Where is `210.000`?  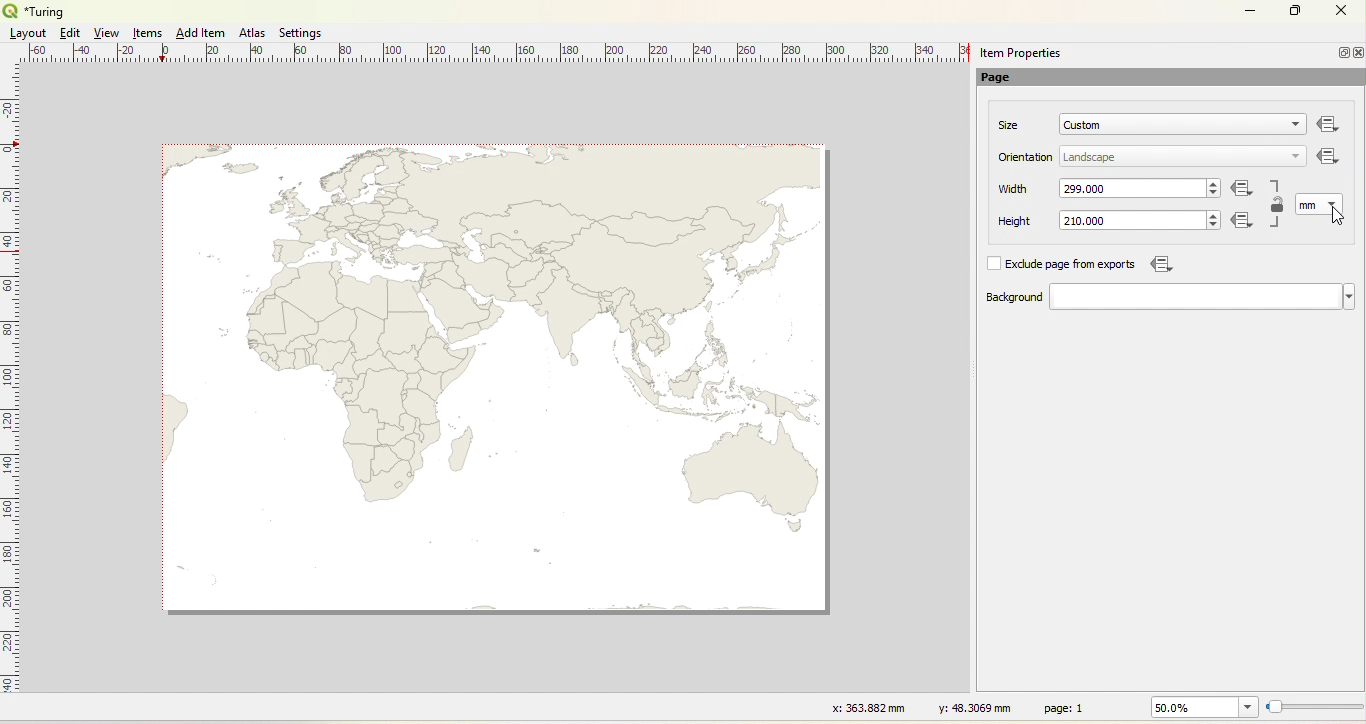
210.000 is located at coordinates (1085, 221).